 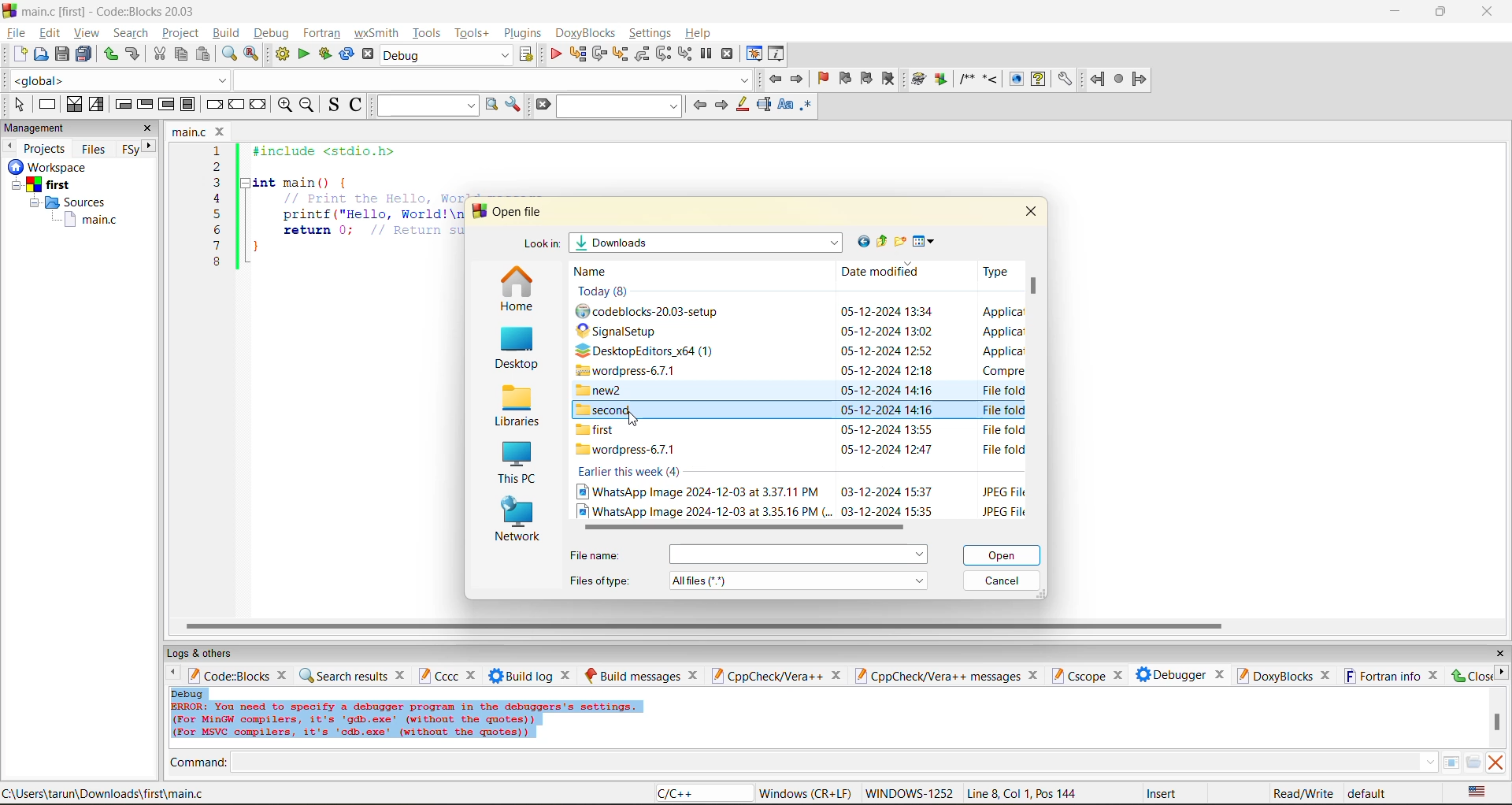 What do you see at coordinates (212, 104) in the screenshot?
I see `break instruction` at bounding box center [212, 104].